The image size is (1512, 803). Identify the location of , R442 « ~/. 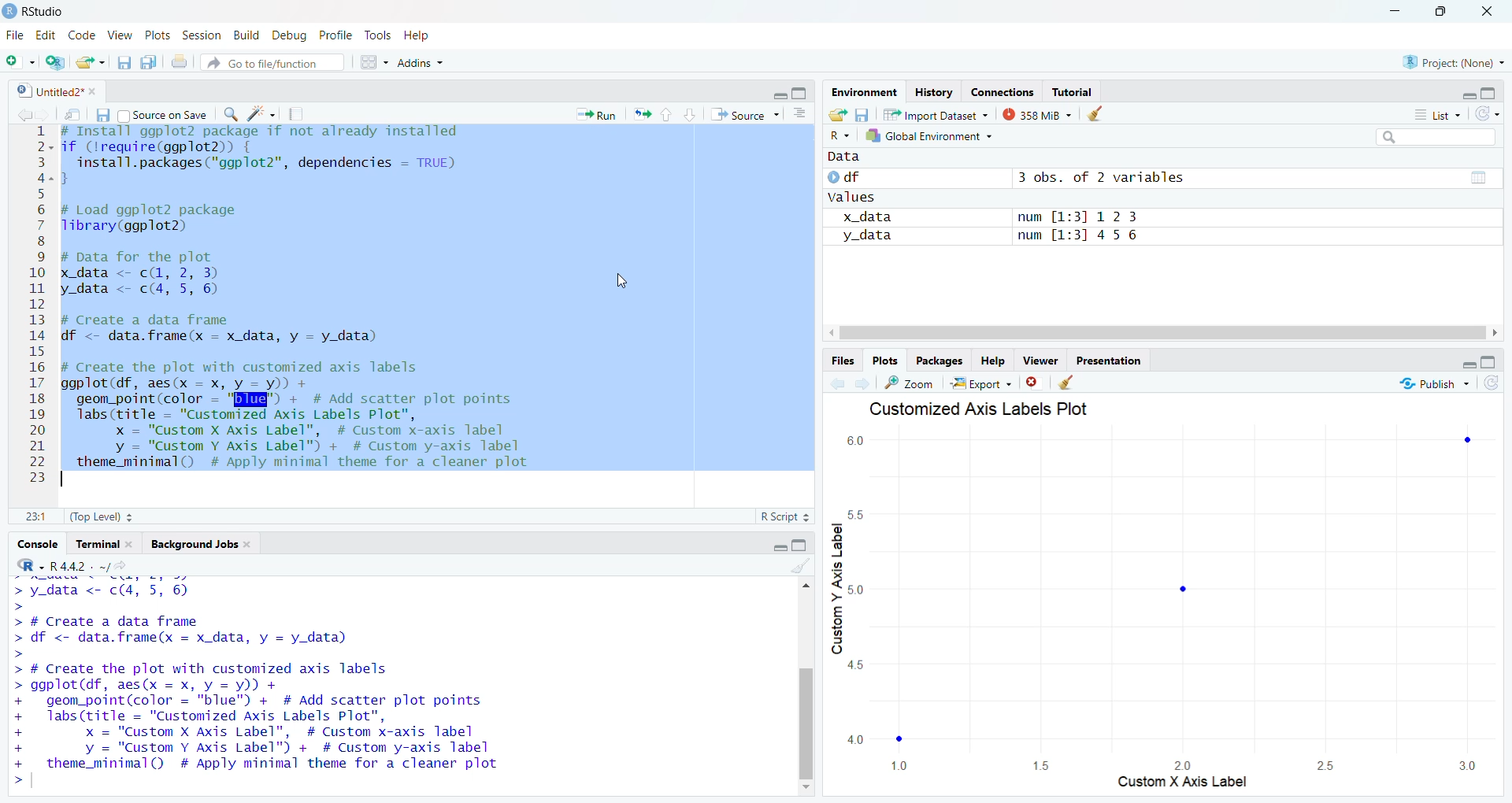
(71, 564).